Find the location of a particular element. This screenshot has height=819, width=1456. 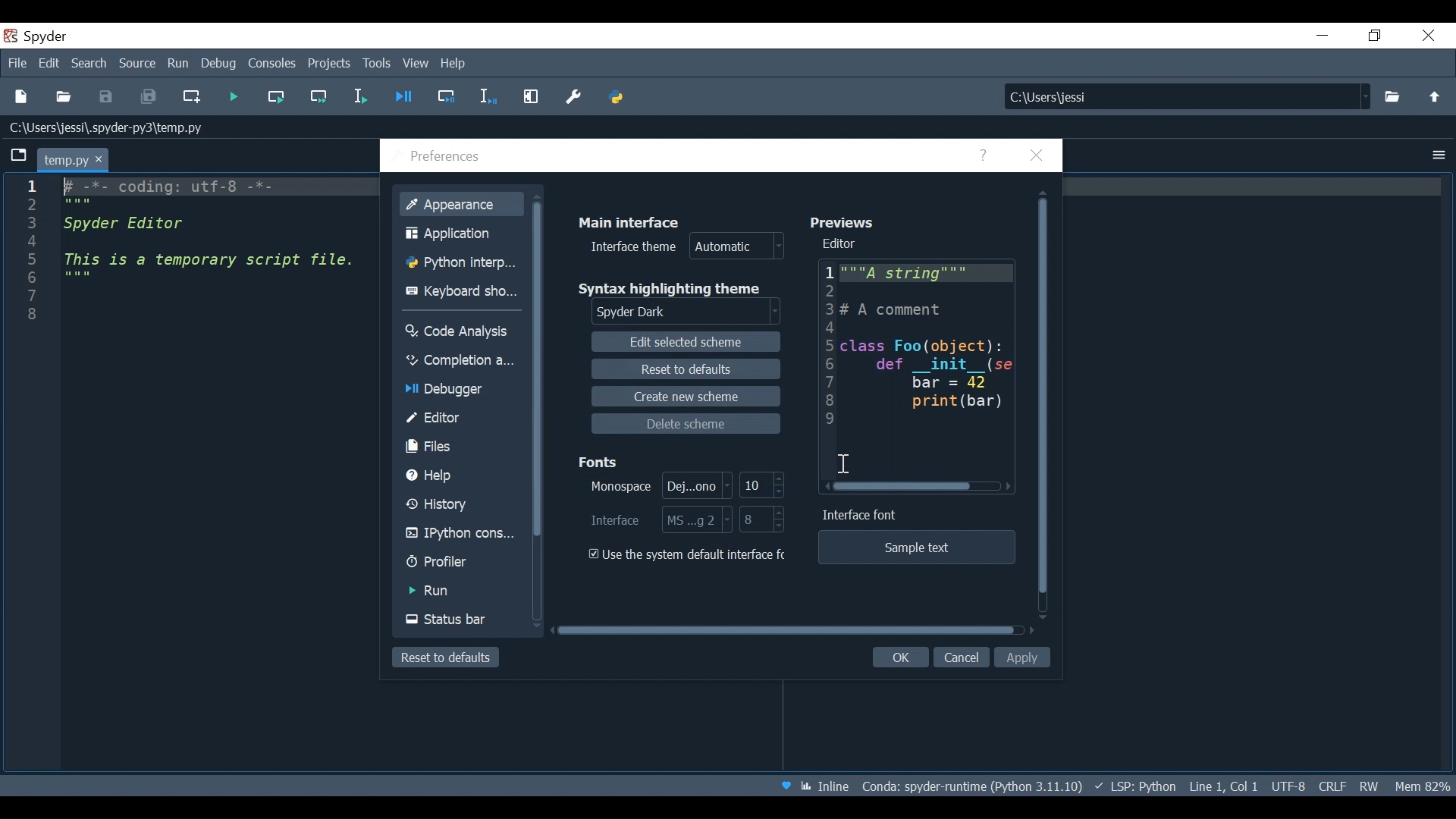

Source is located at coordinates (138, 64).